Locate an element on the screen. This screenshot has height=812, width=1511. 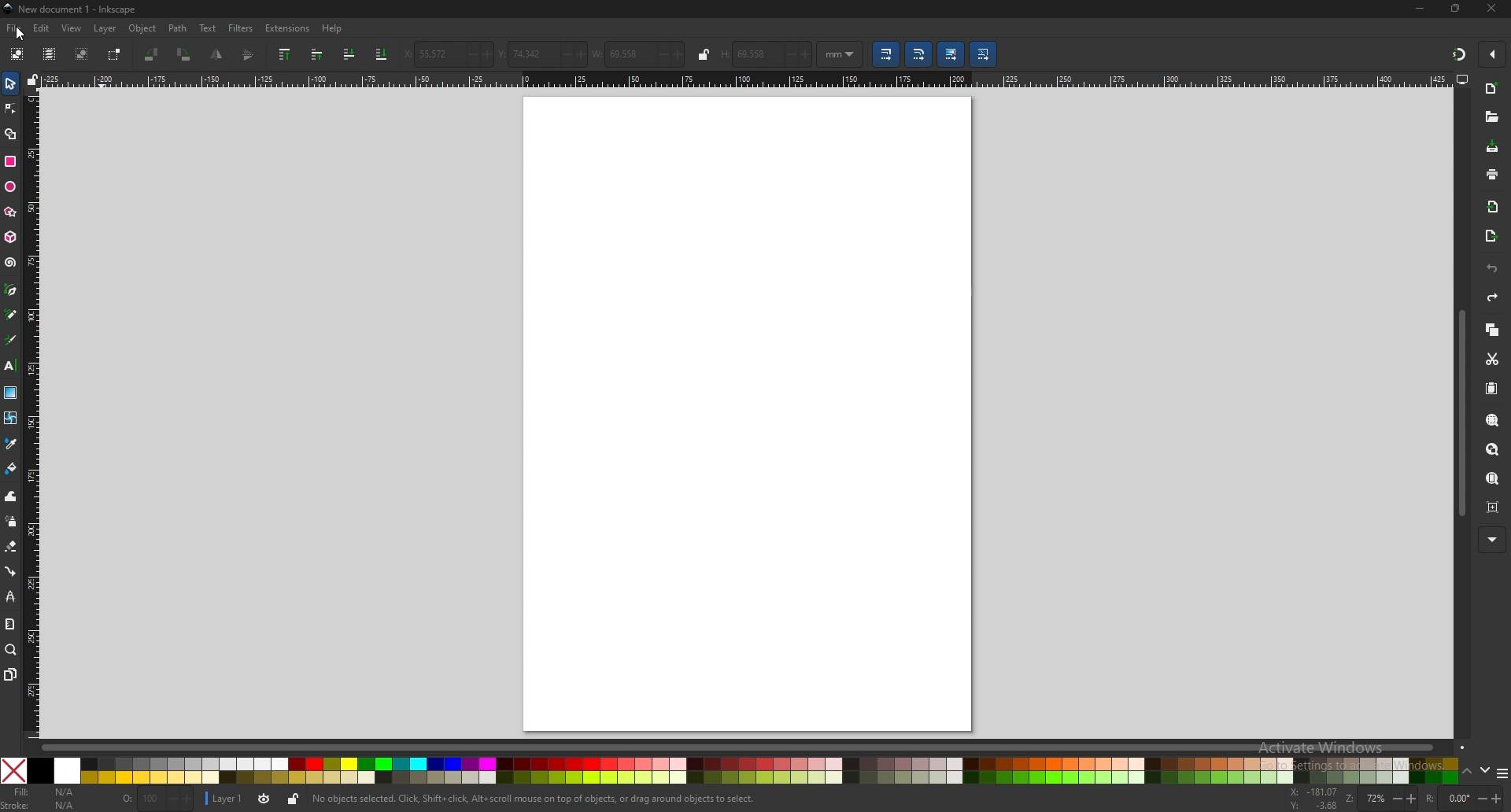
spiral is located at coordinates (11, 263).